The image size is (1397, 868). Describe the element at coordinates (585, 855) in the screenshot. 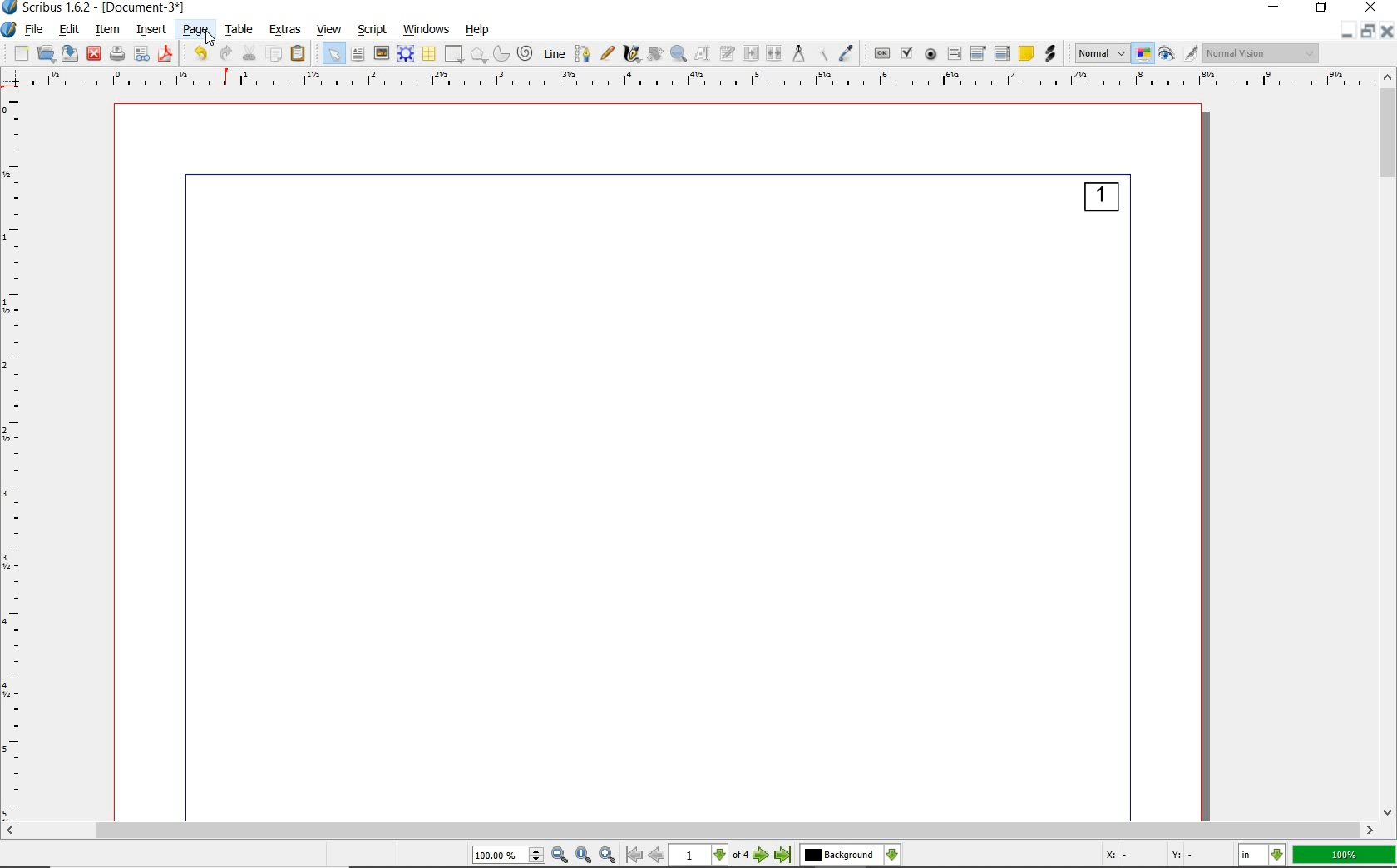

I see `zoom to 100%` at that location.